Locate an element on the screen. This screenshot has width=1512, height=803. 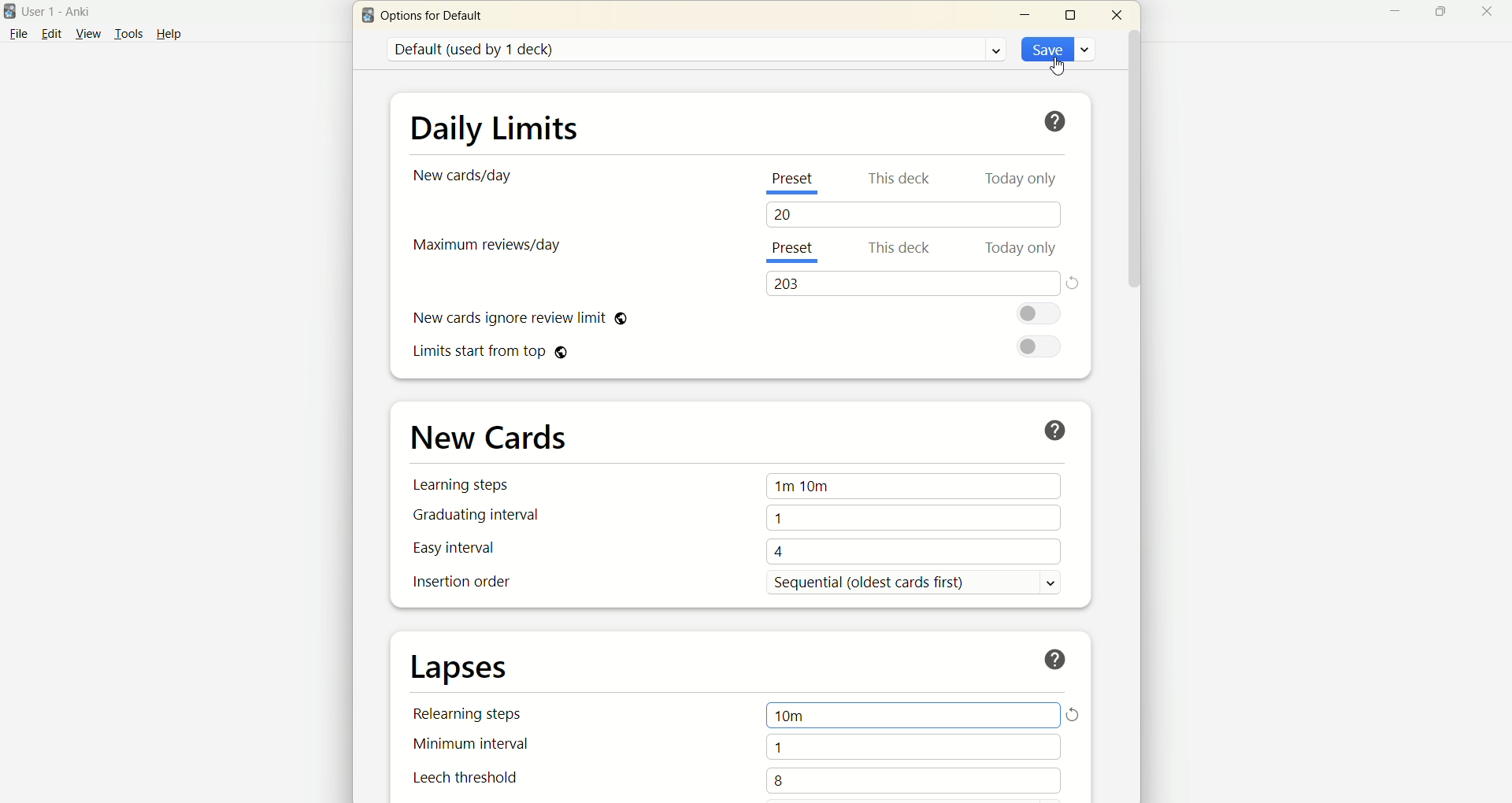
relearning steps is located at coordinates (473, 718).